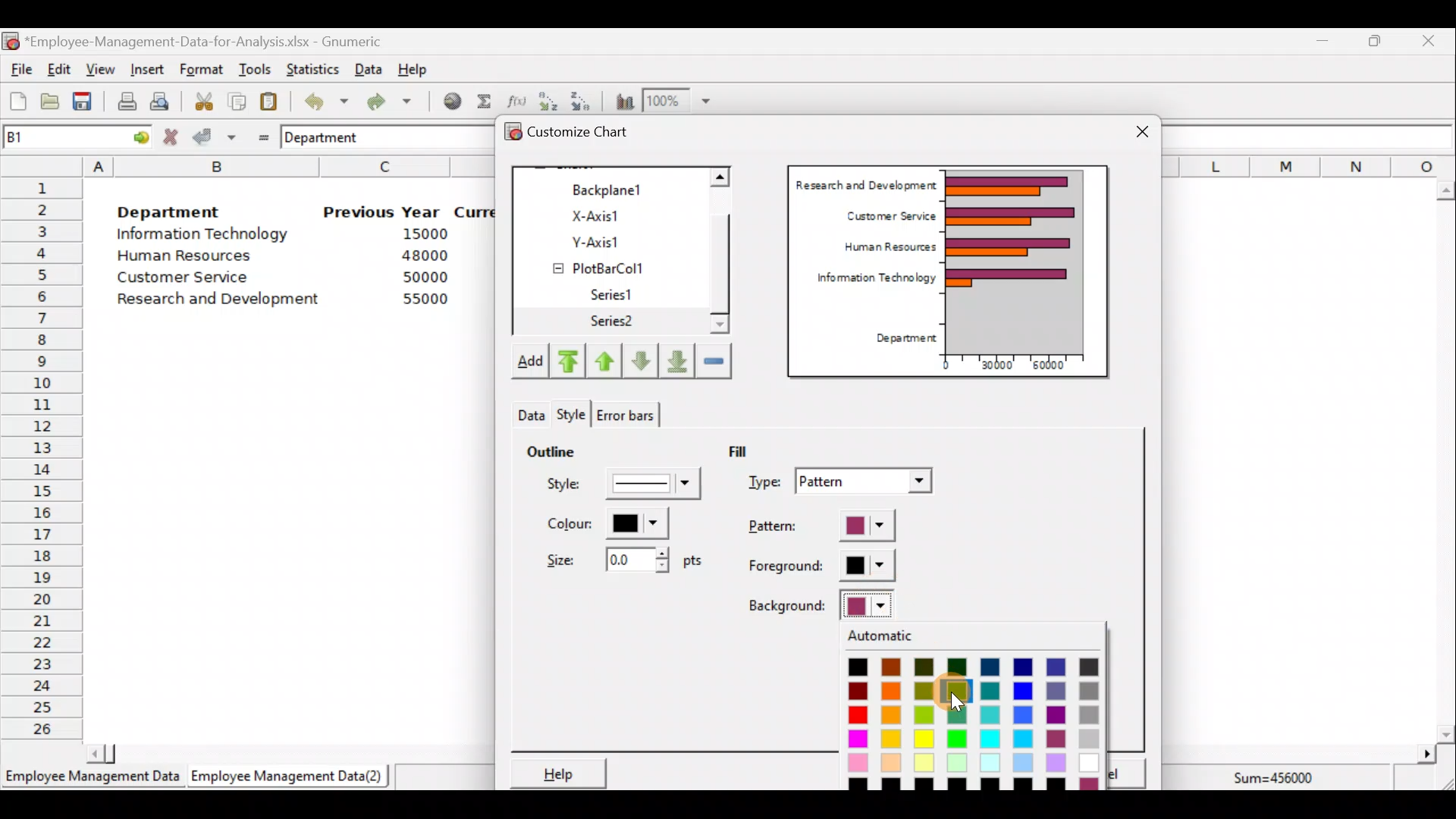 This screenshot has width=1456, height=819. Describe the element at coordinates (236, 99) in the screenshot. I see `Copy the selection` at that location.